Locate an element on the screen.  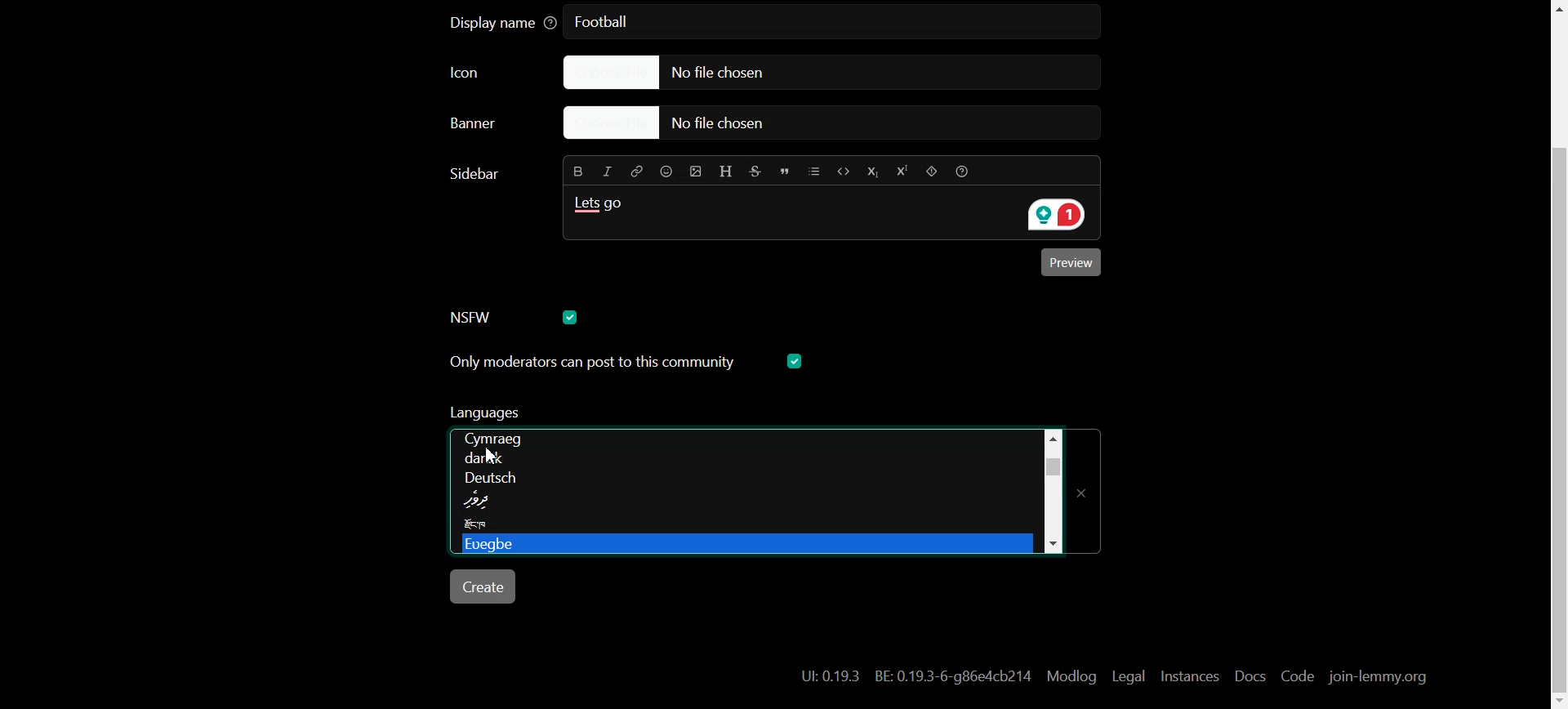
Icon  is located at coordinates (483, 74).